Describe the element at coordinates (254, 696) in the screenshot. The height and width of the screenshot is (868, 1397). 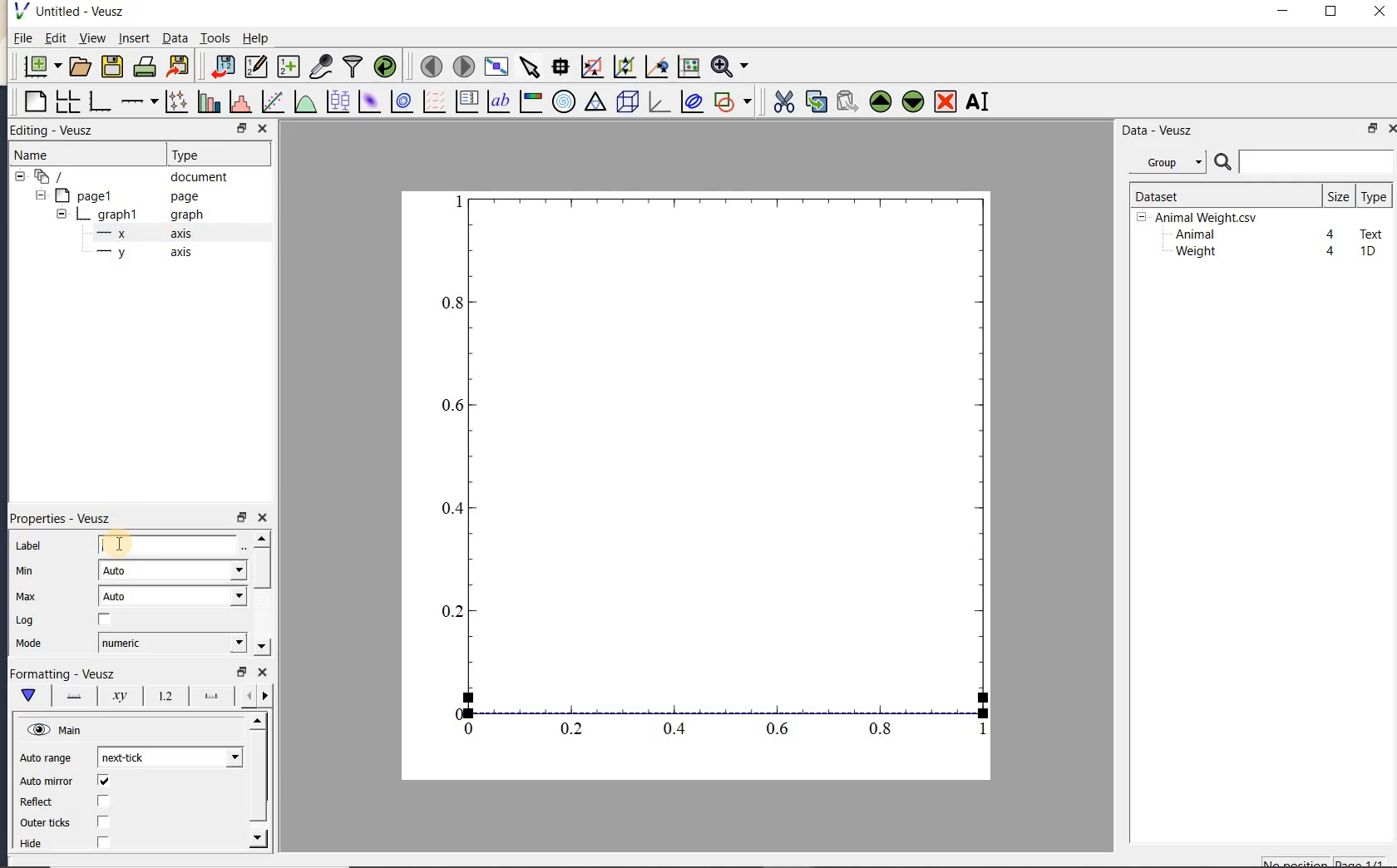
I see `minor ticks` at that location.